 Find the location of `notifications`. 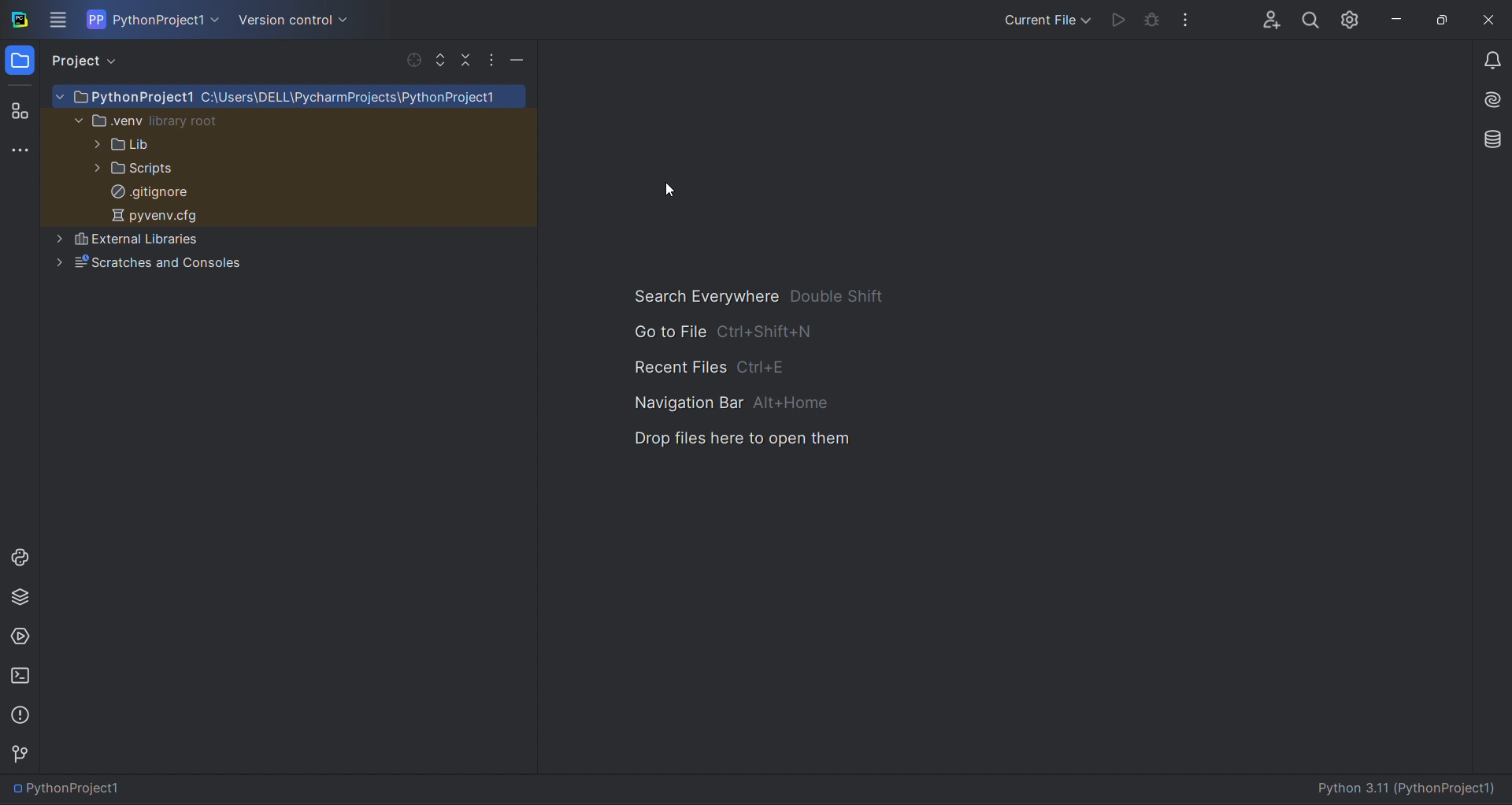

notifications is located at coordinates (1489, 54).